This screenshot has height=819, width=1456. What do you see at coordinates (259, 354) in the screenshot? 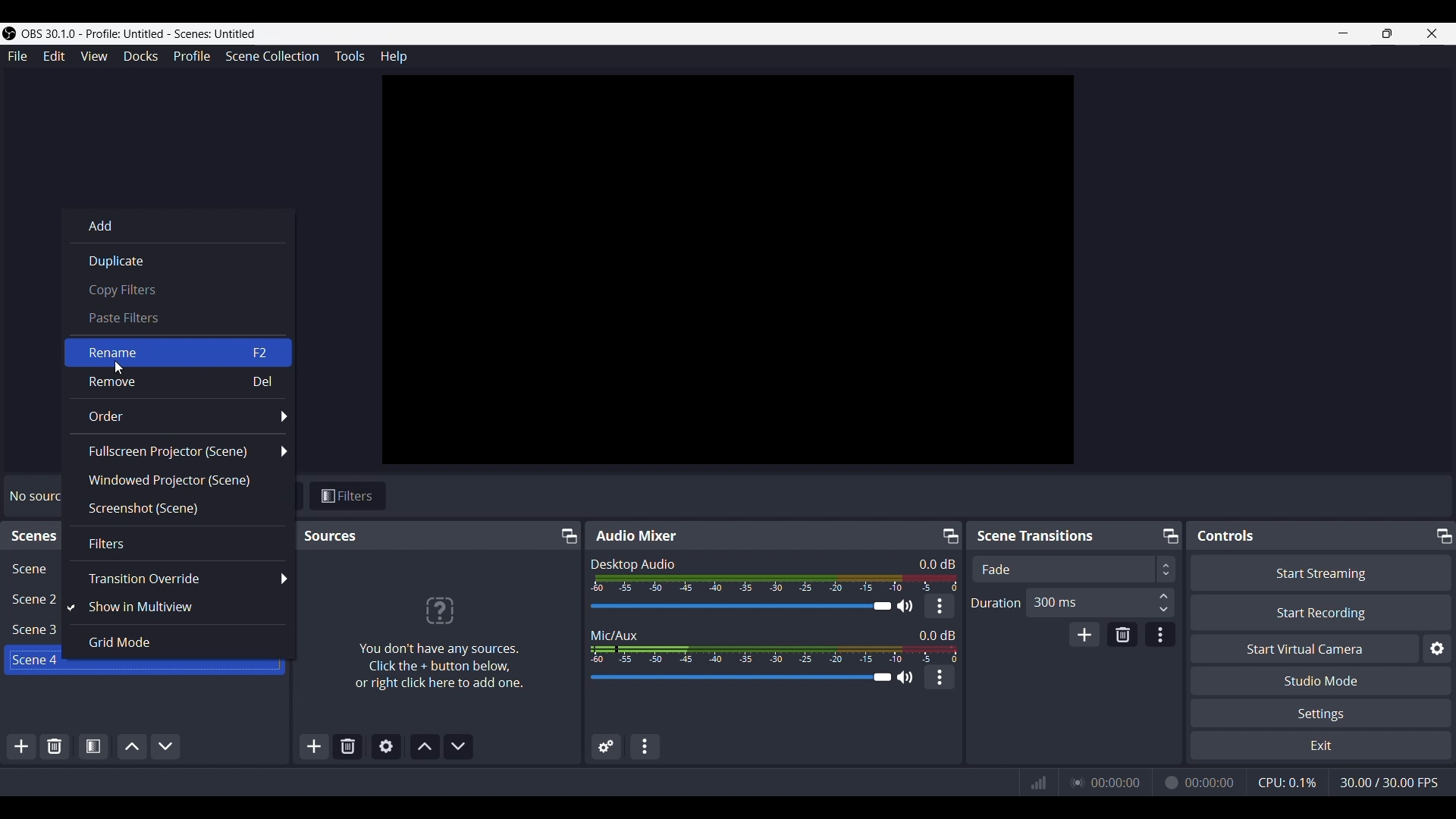
I see `F2` at bounding box center [259, 354].